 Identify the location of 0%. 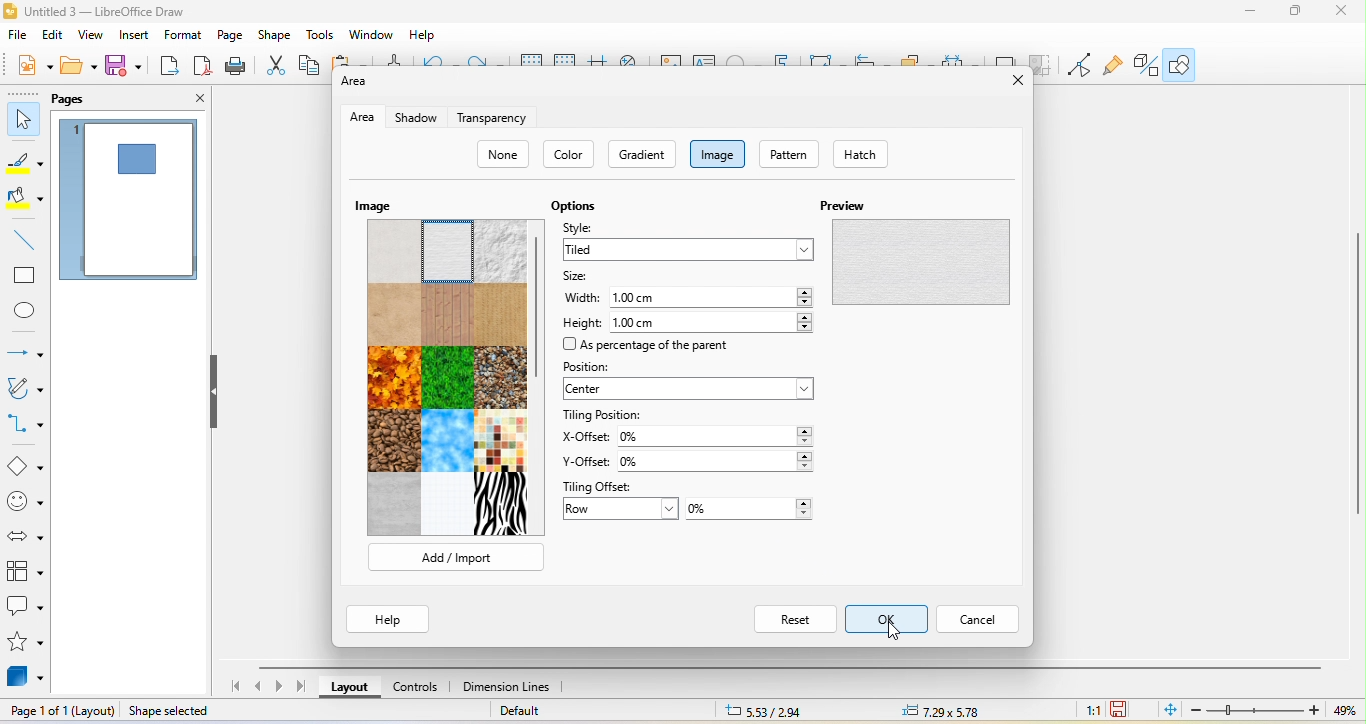
(718, 439).